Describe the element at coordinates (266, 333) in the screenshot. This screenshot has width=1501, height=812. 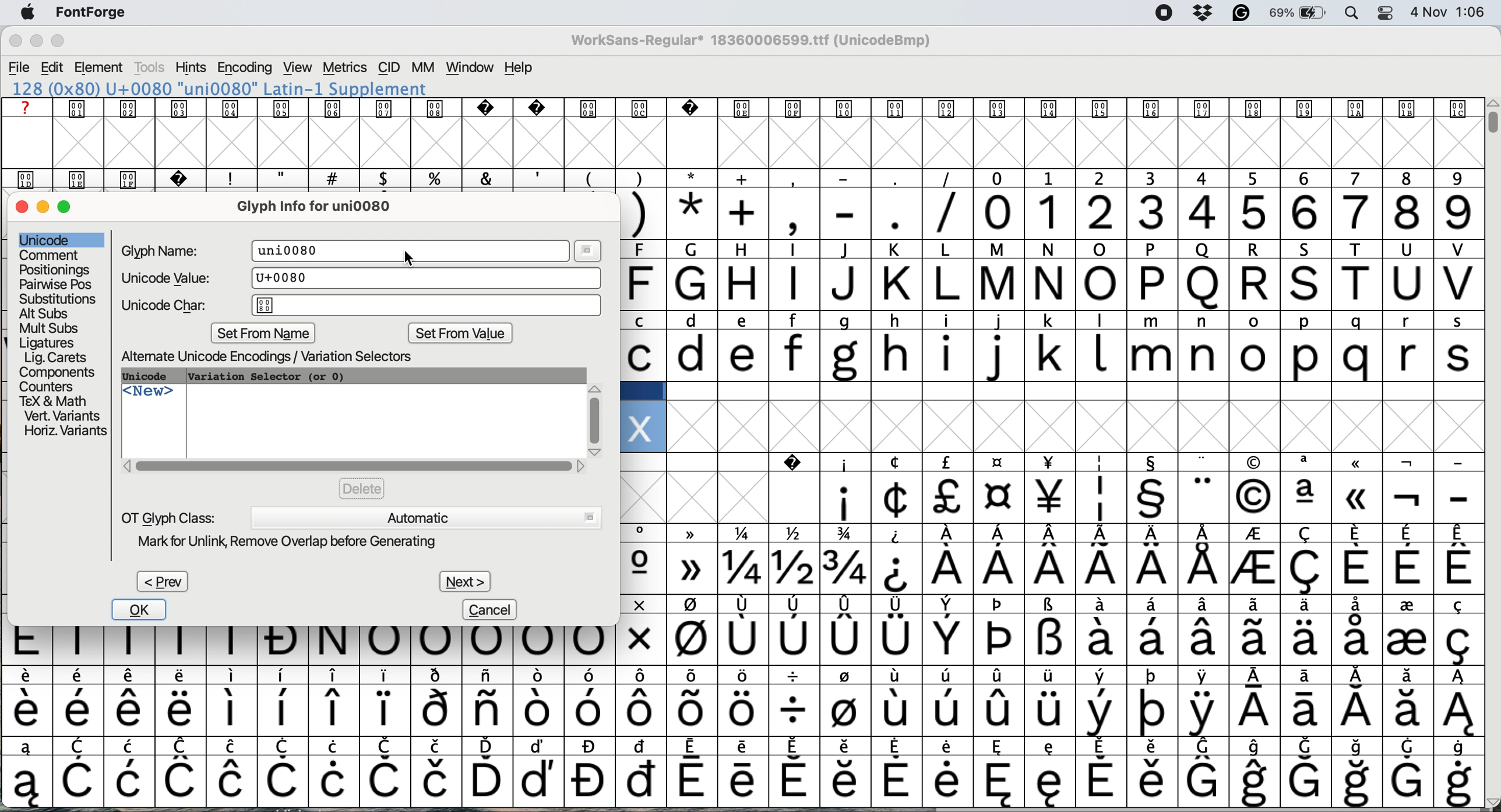
I see `set from name` at that location.